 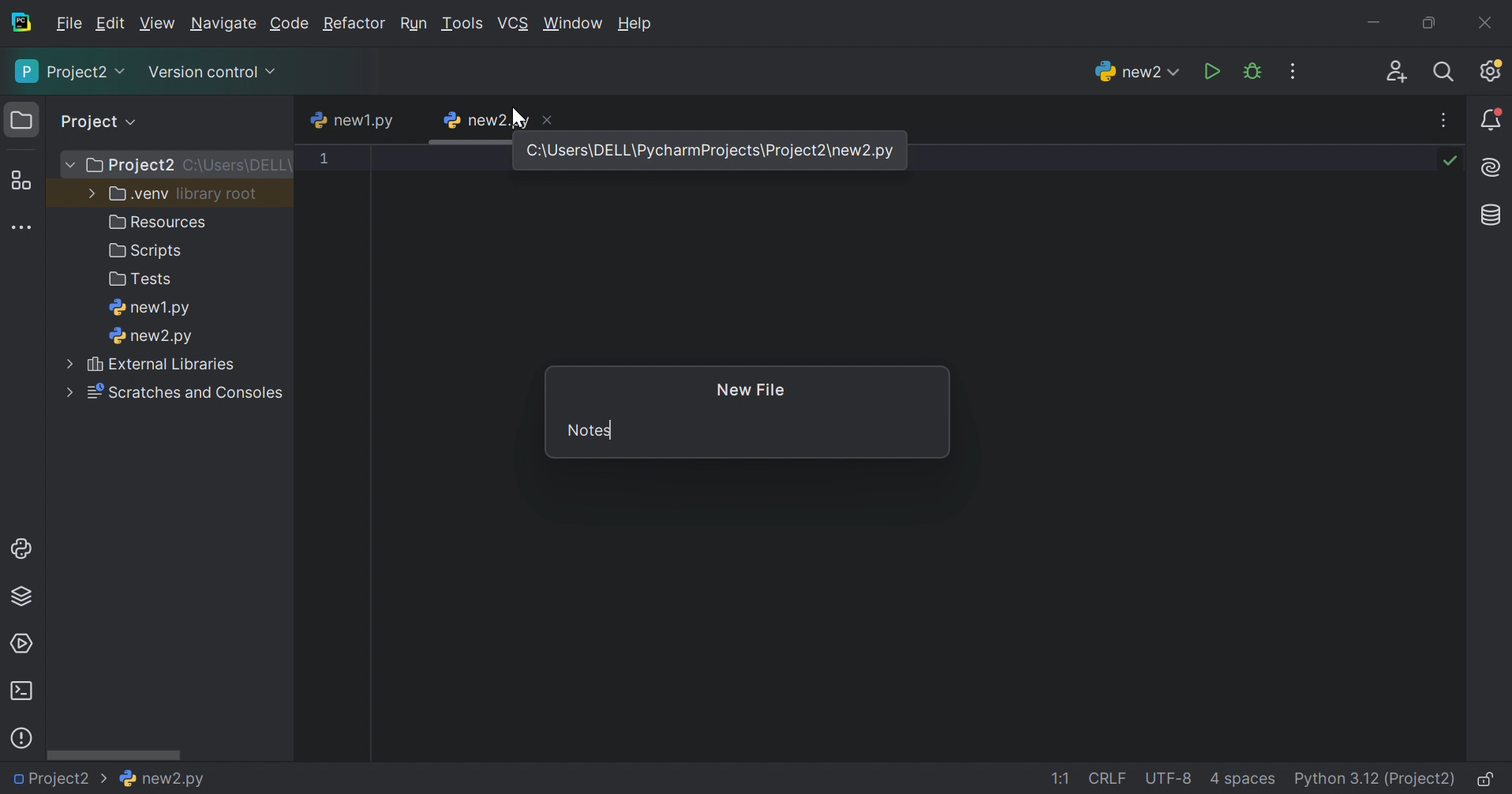 I want to click on 1:1, so click(x=1065, y=780).